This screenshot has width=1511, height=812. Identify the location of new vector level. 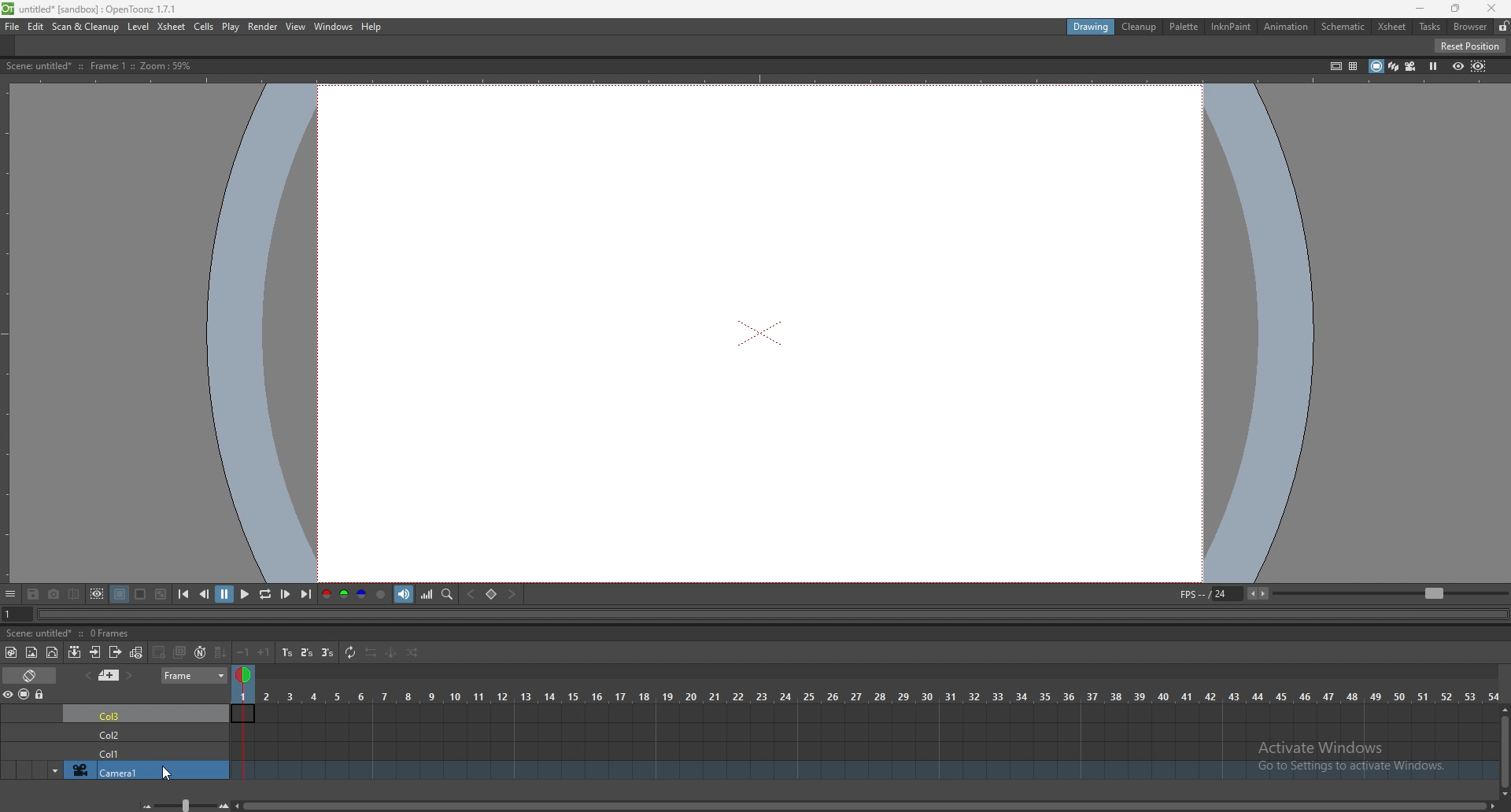
(54, 652).